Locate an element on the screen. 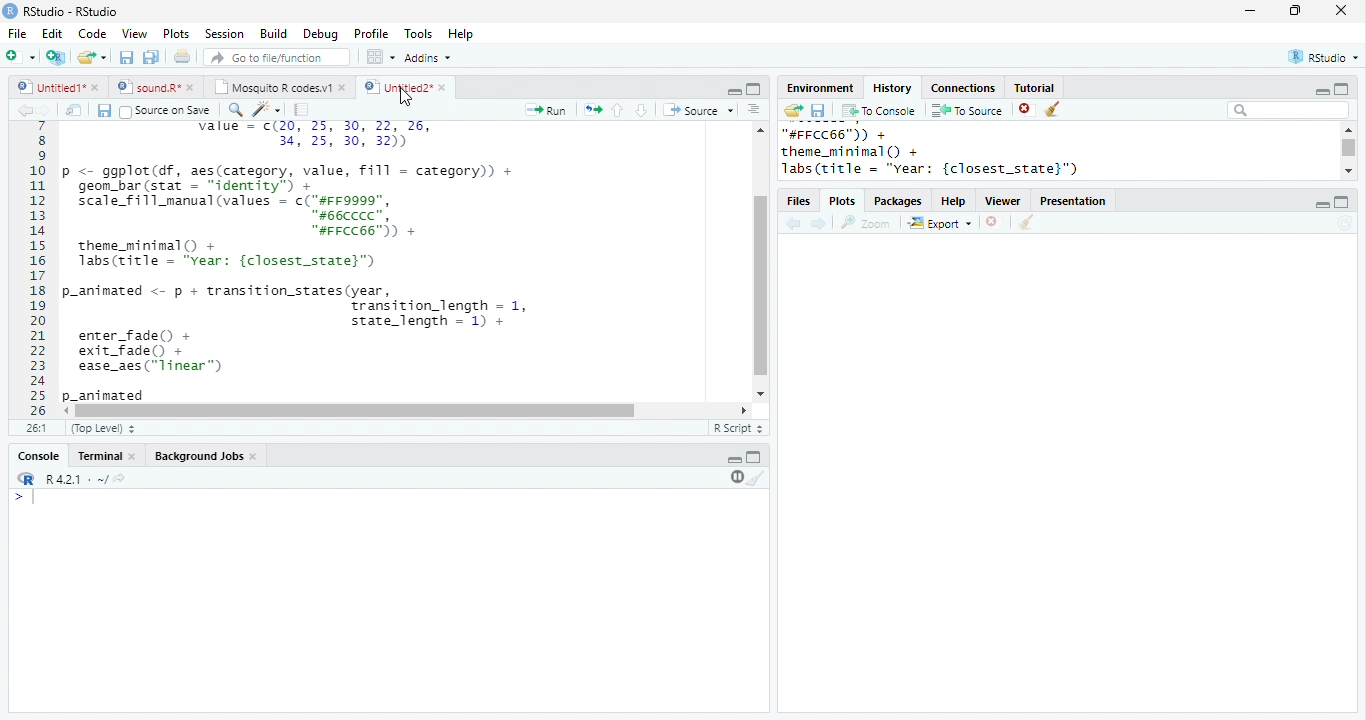 The height and width of the screenshot is (720, 1366). Plots is located at coordinates (842, 201).